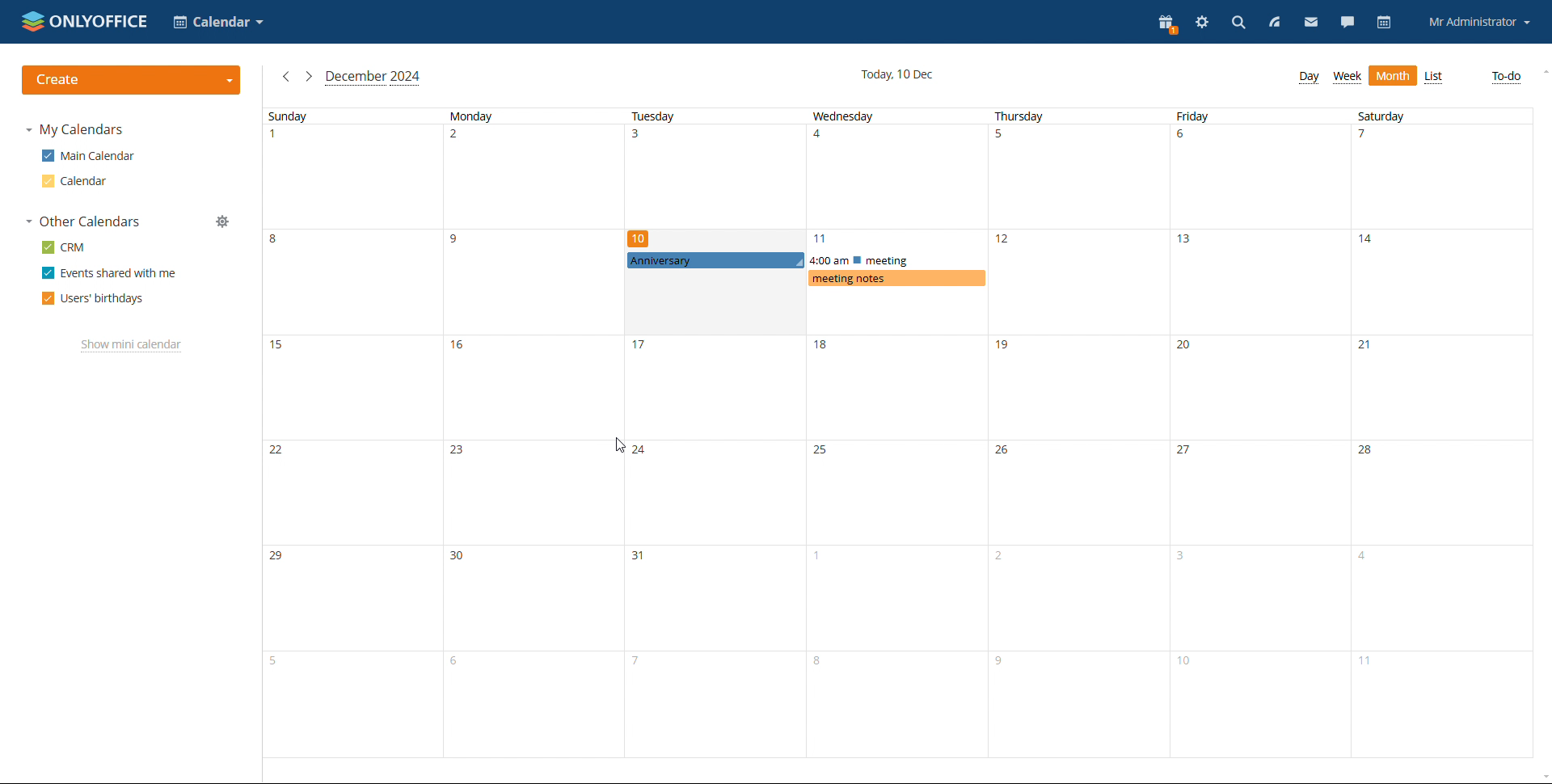 The width and height of the screenshot is (1552, 784). Describe the element at coordinates (1273, 22) in the screenshot. I see `feed` at that location.